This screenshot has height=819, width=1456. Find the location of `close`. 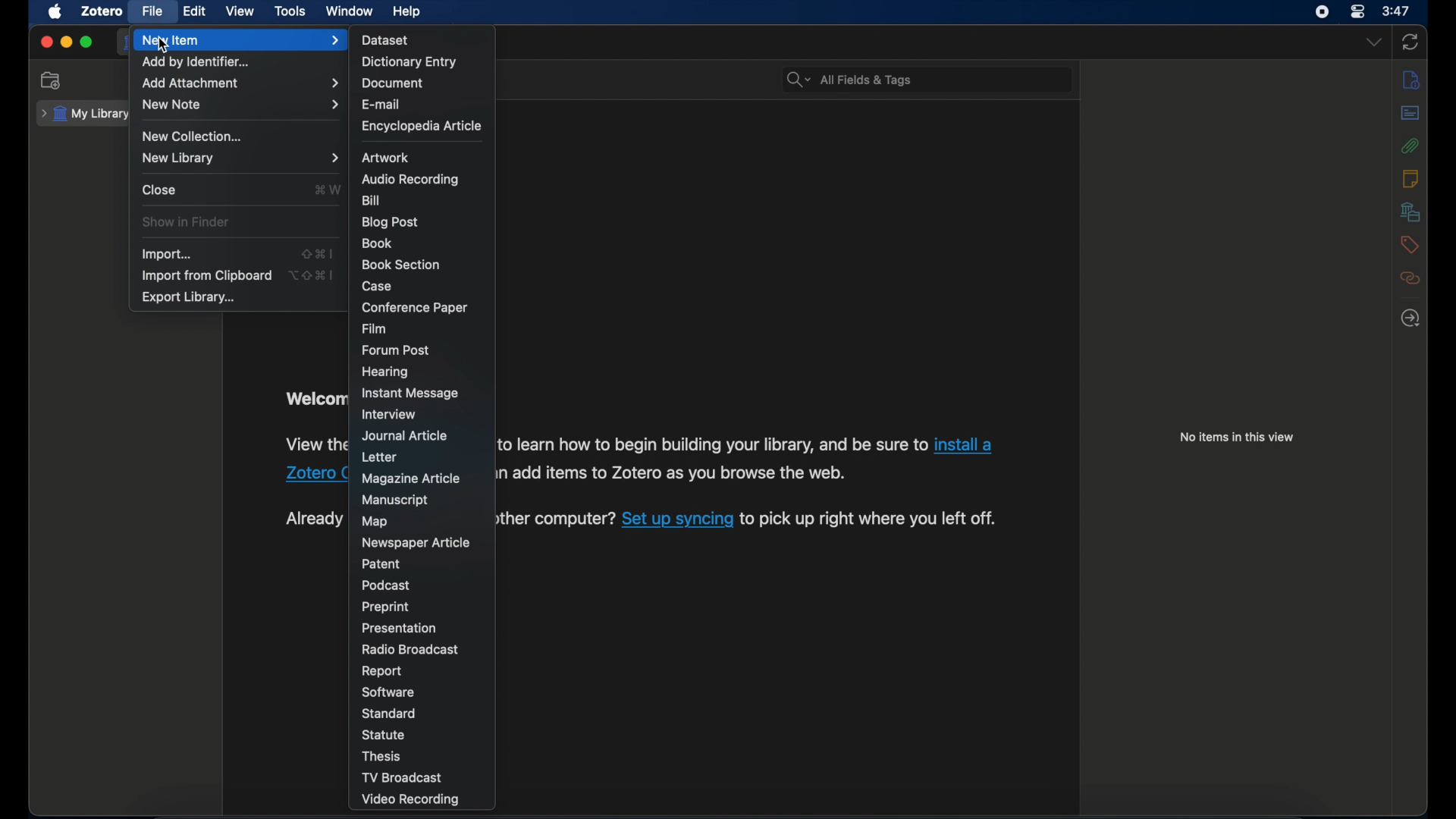

close is located at coordinates (45, 42).